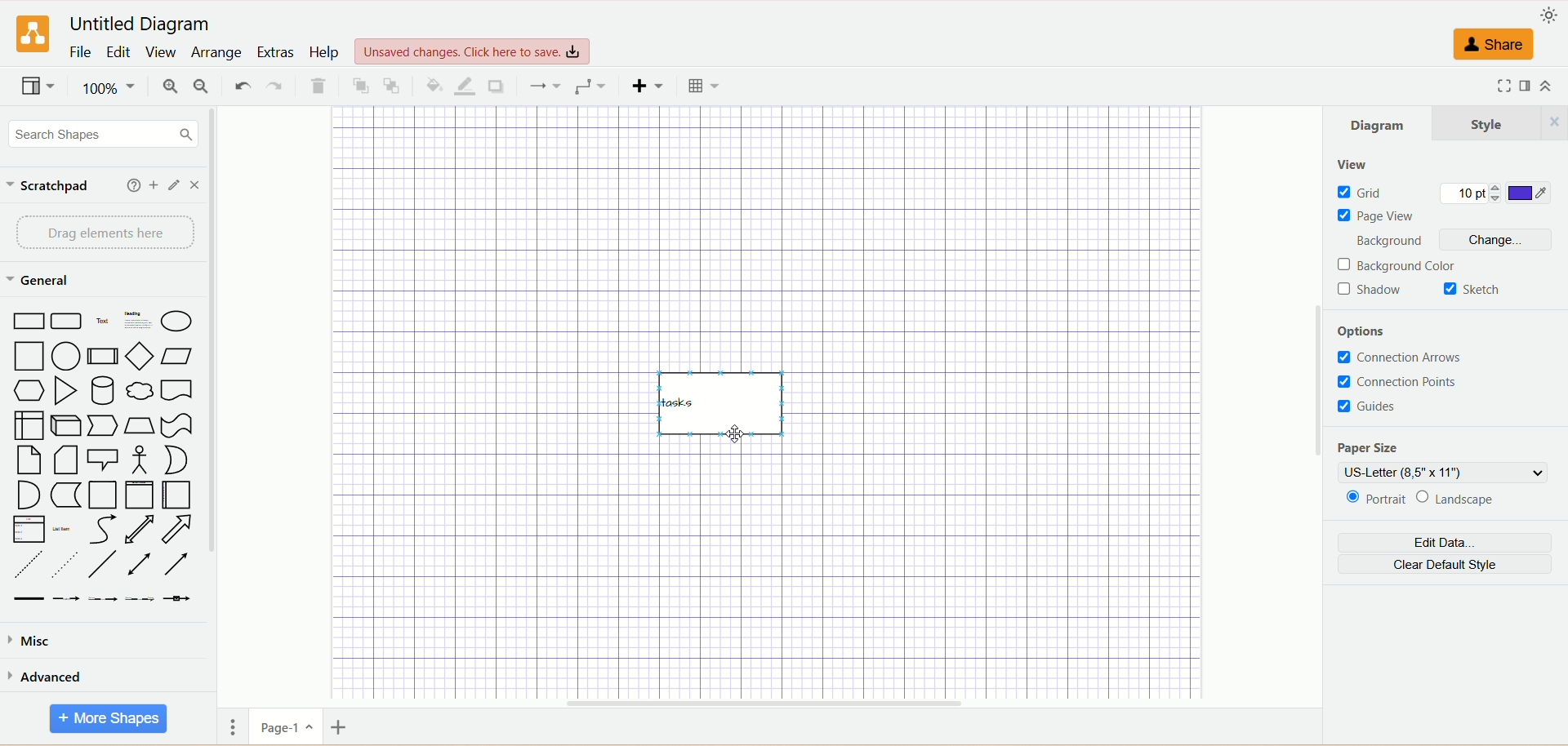 This screenshot has height=746, width=1568. I want to click on vertical scroll bar, so click(216, 406).